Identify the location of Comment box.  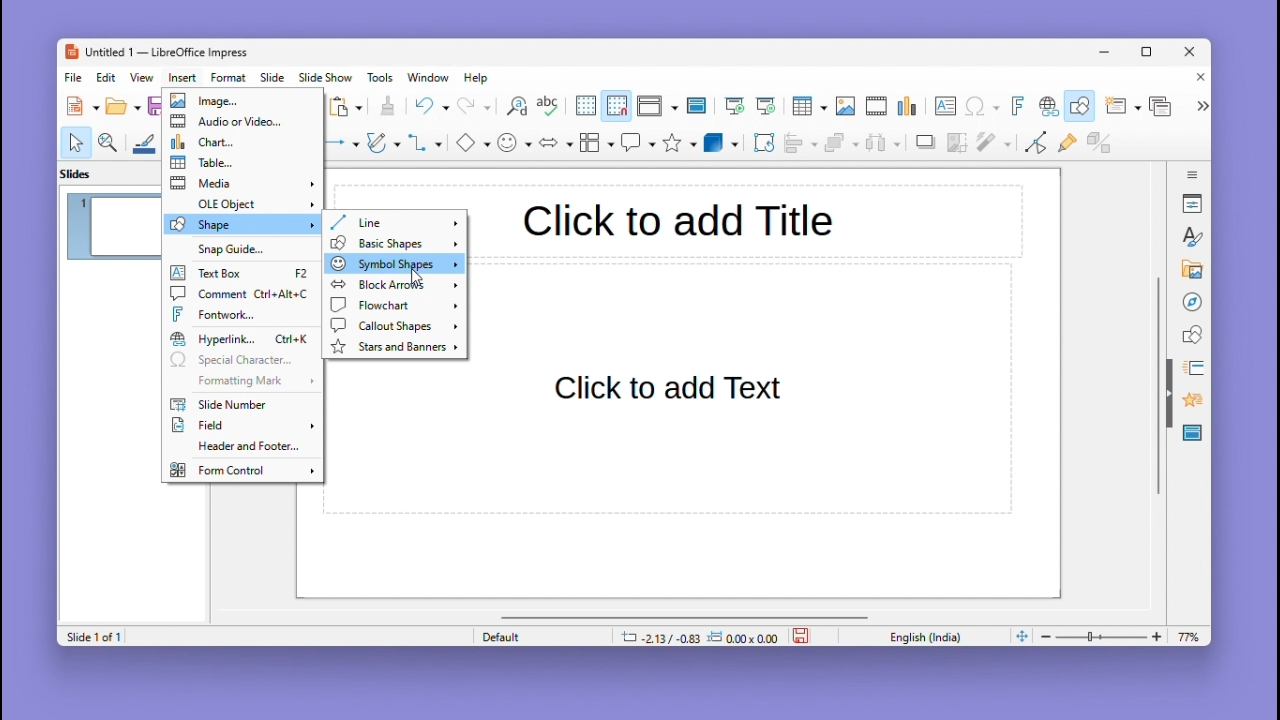
(638, 142).